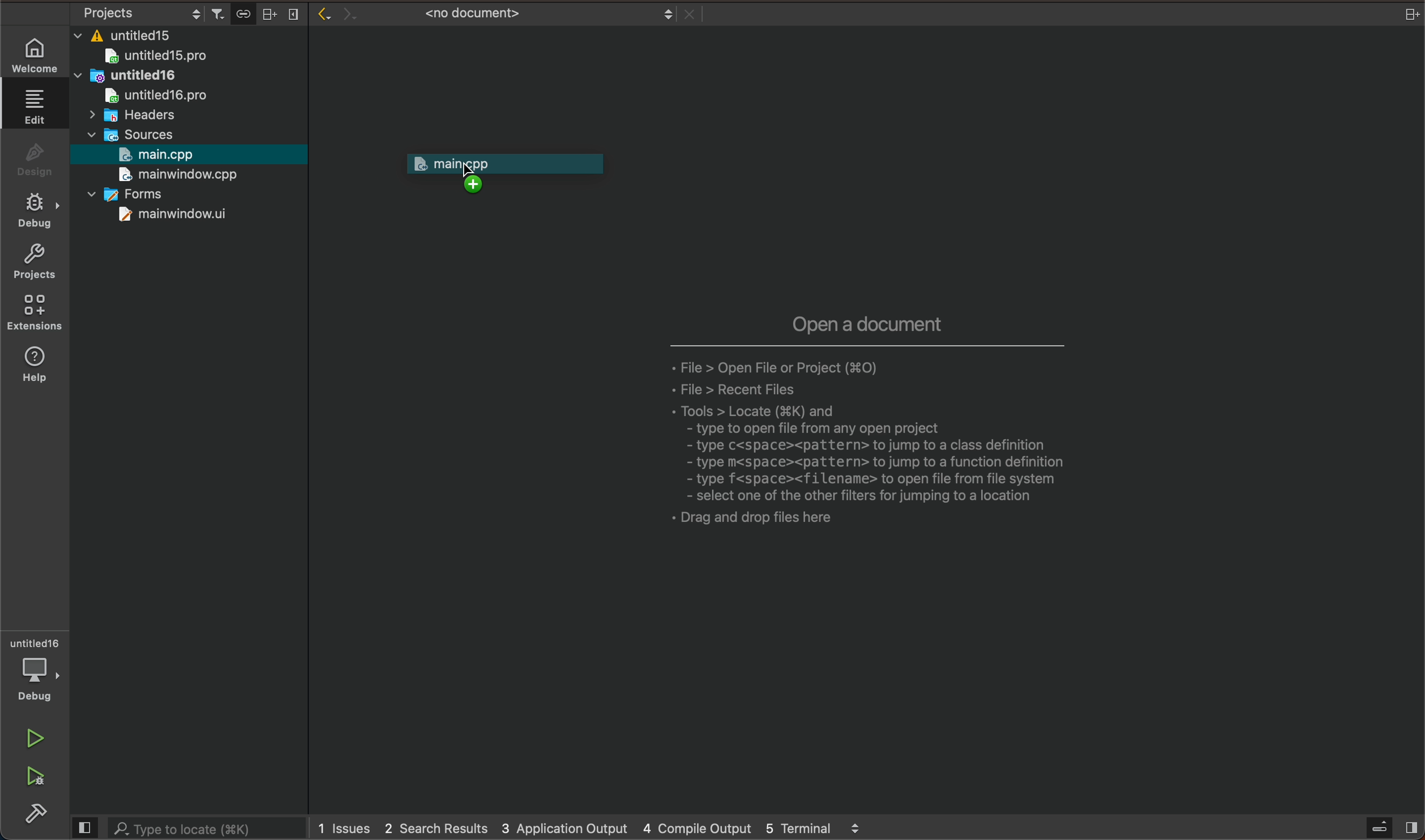  Describe the element at coordinates (436, 828) in the screenshot. I see `2 search results` at that location.